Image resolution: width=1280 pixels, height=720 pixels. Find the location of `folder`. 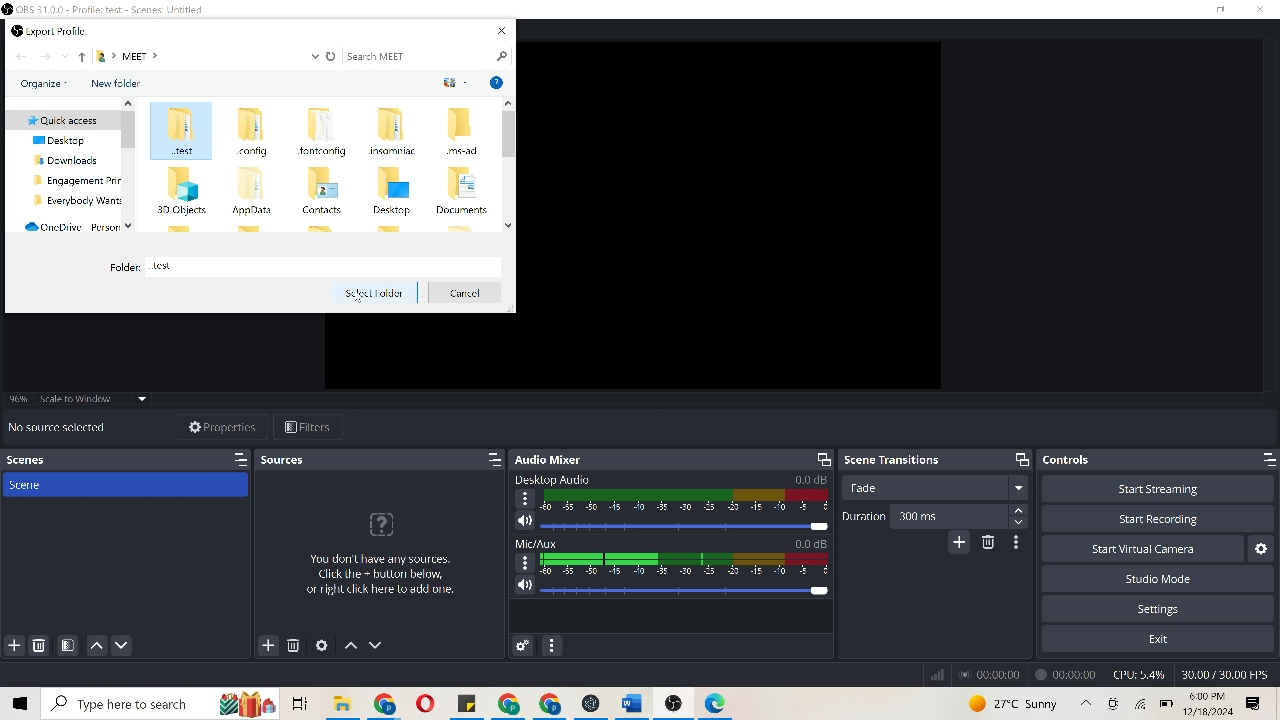

folder is located at coordinates (105, 59).